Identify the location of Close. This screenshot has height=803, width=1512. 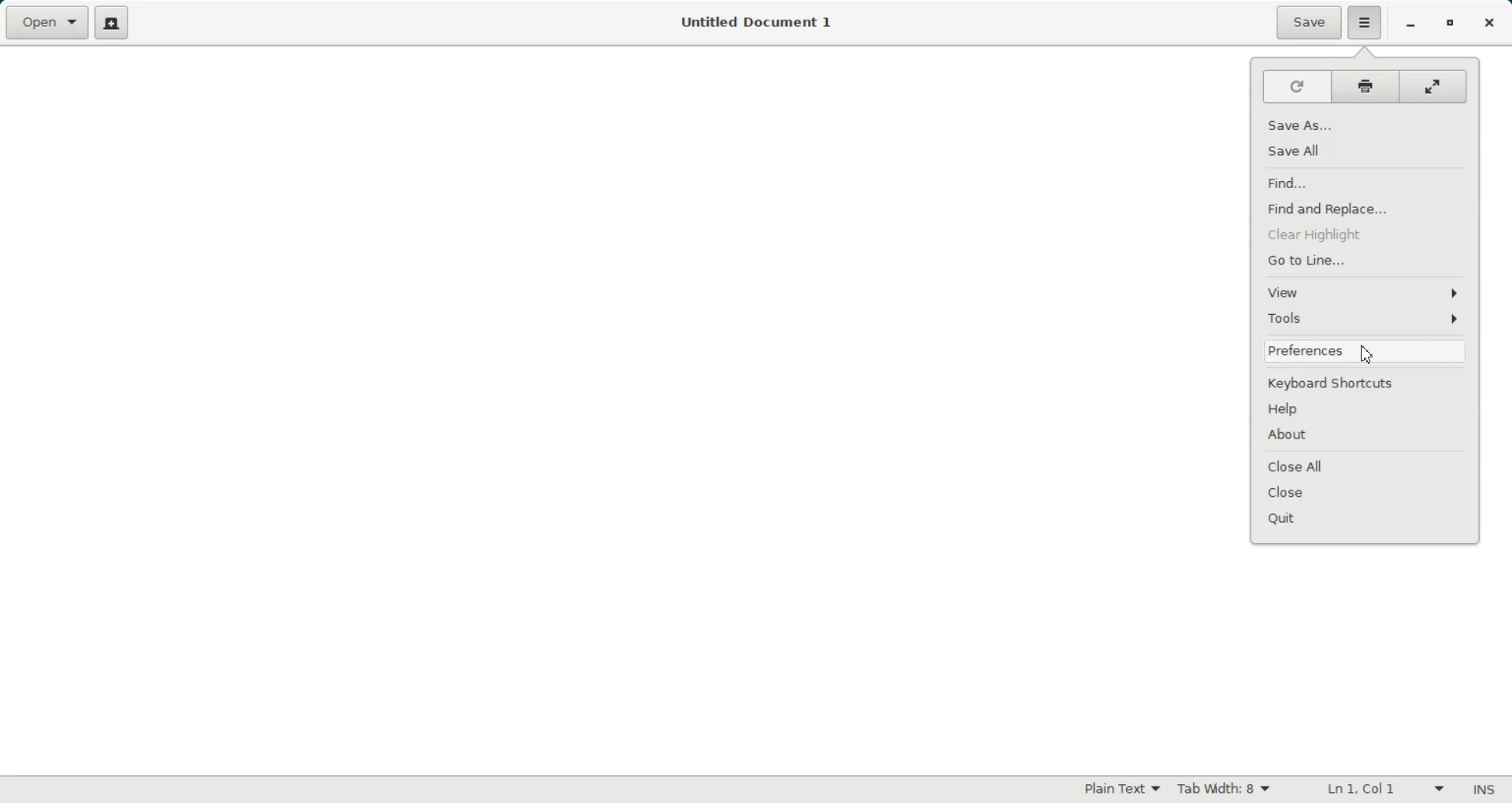
(1488, 23).